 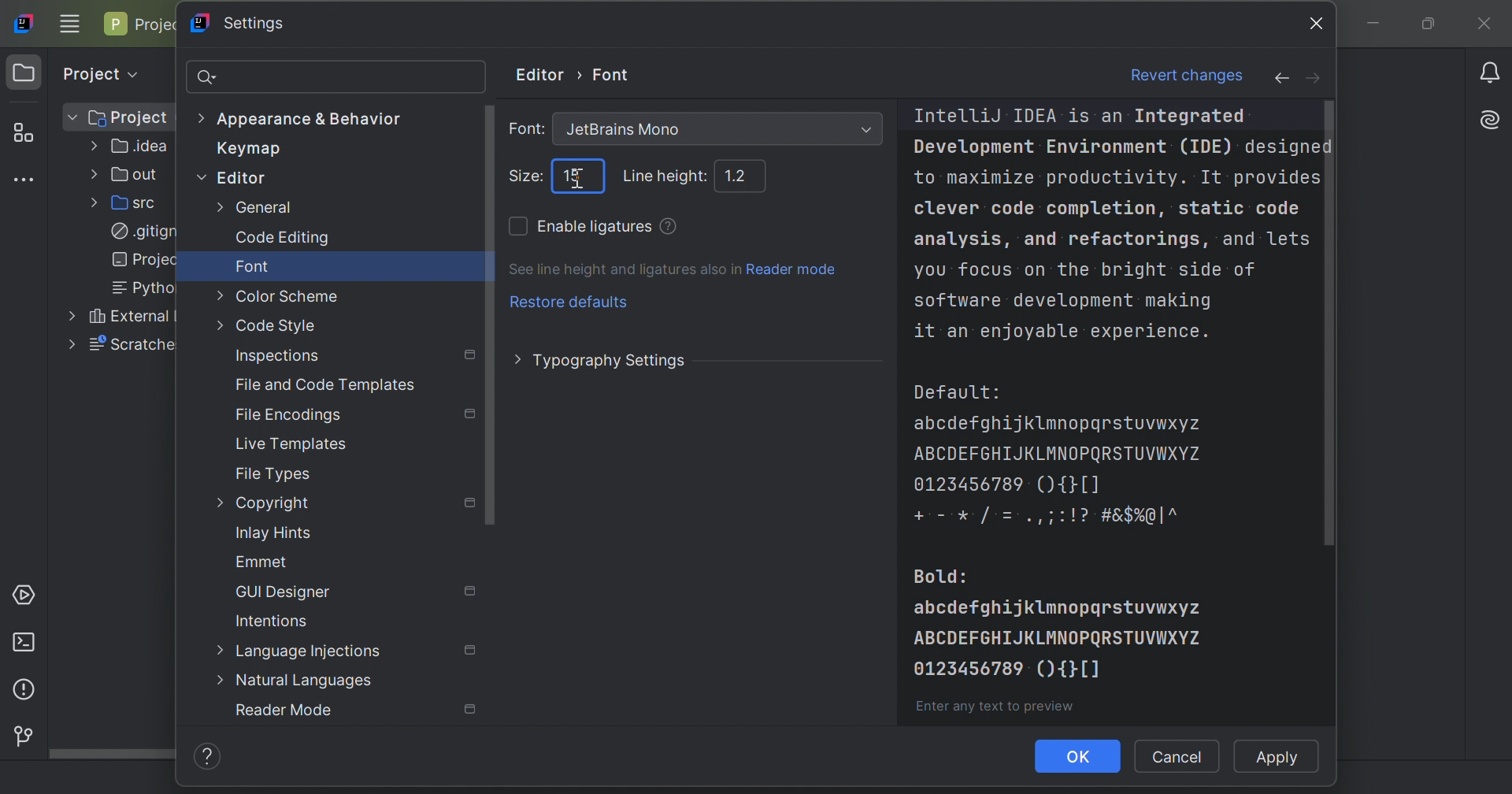 What do you see at coordinates (992, 710) in the screenshot?
I see `Enter any text to preview` at bounding box center [992, 710].